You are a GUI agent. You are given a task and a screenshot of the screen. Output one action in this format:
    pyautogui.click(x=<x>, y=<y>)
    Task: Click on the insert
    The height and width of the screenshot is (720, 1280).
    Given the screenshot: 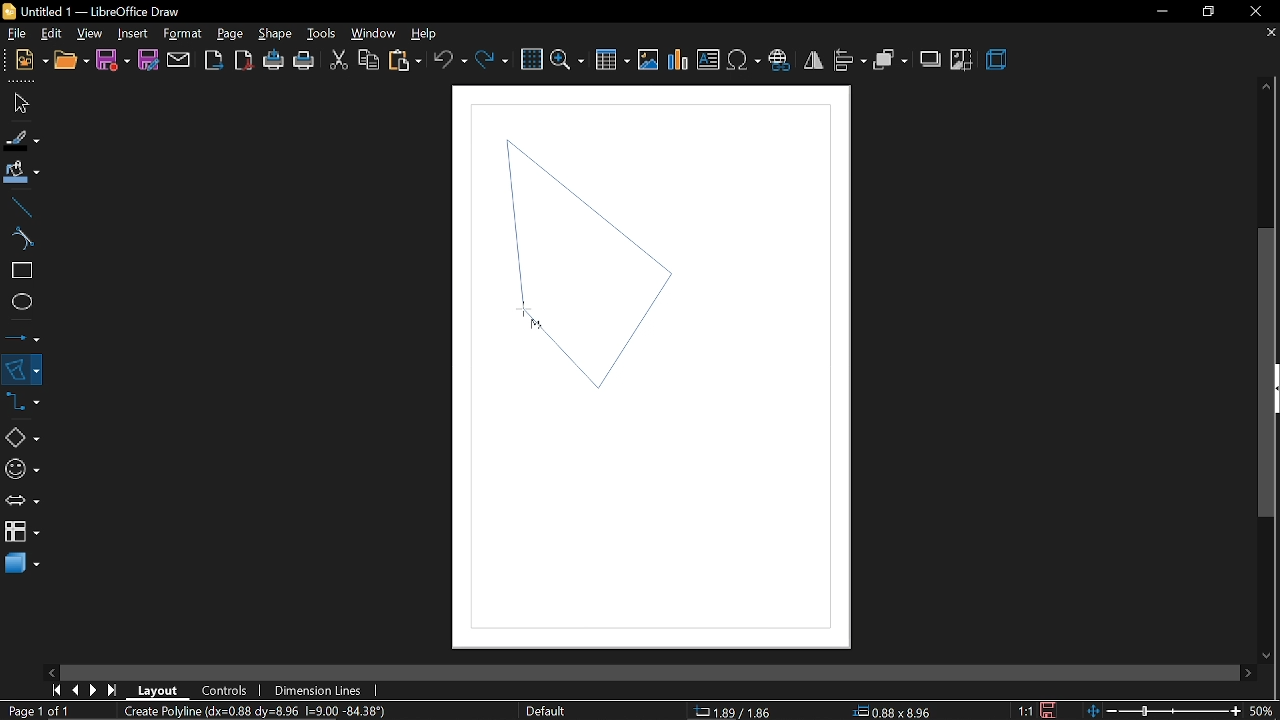 What is the action you would take?
    pyautogui.click(x=132, y=33)
    